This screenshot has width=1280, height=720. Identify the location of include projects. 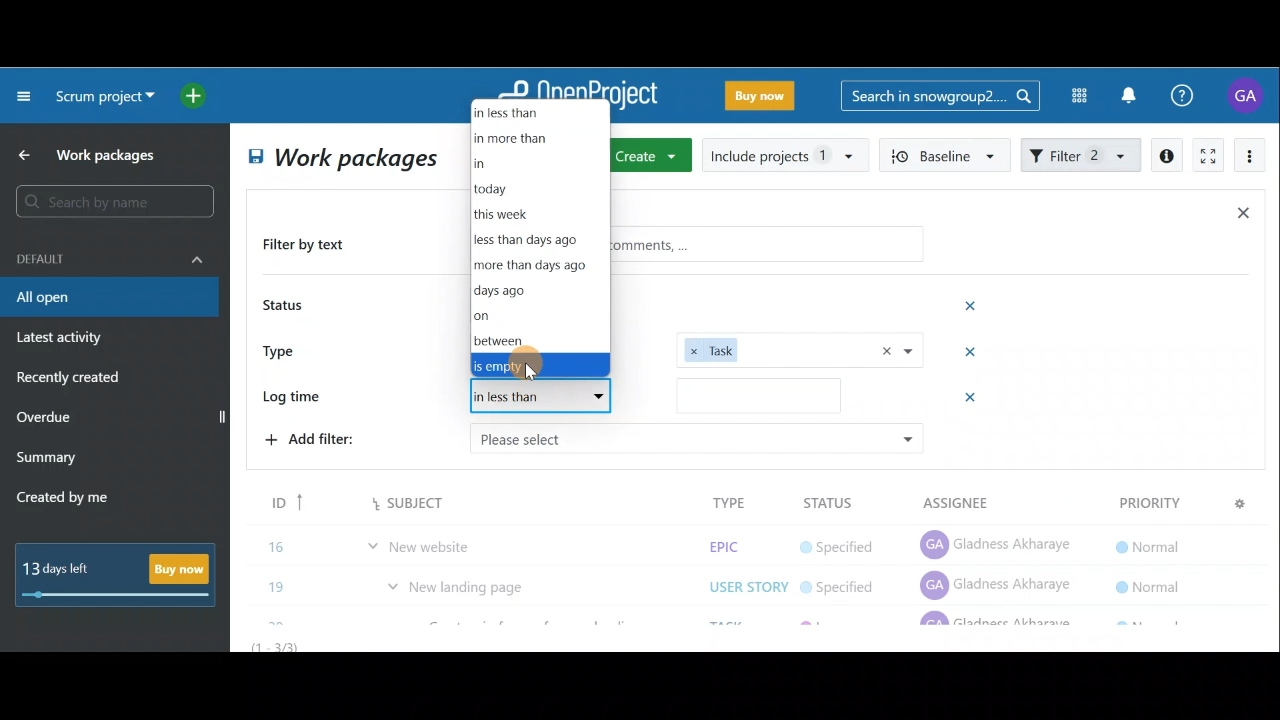
(786, 154).